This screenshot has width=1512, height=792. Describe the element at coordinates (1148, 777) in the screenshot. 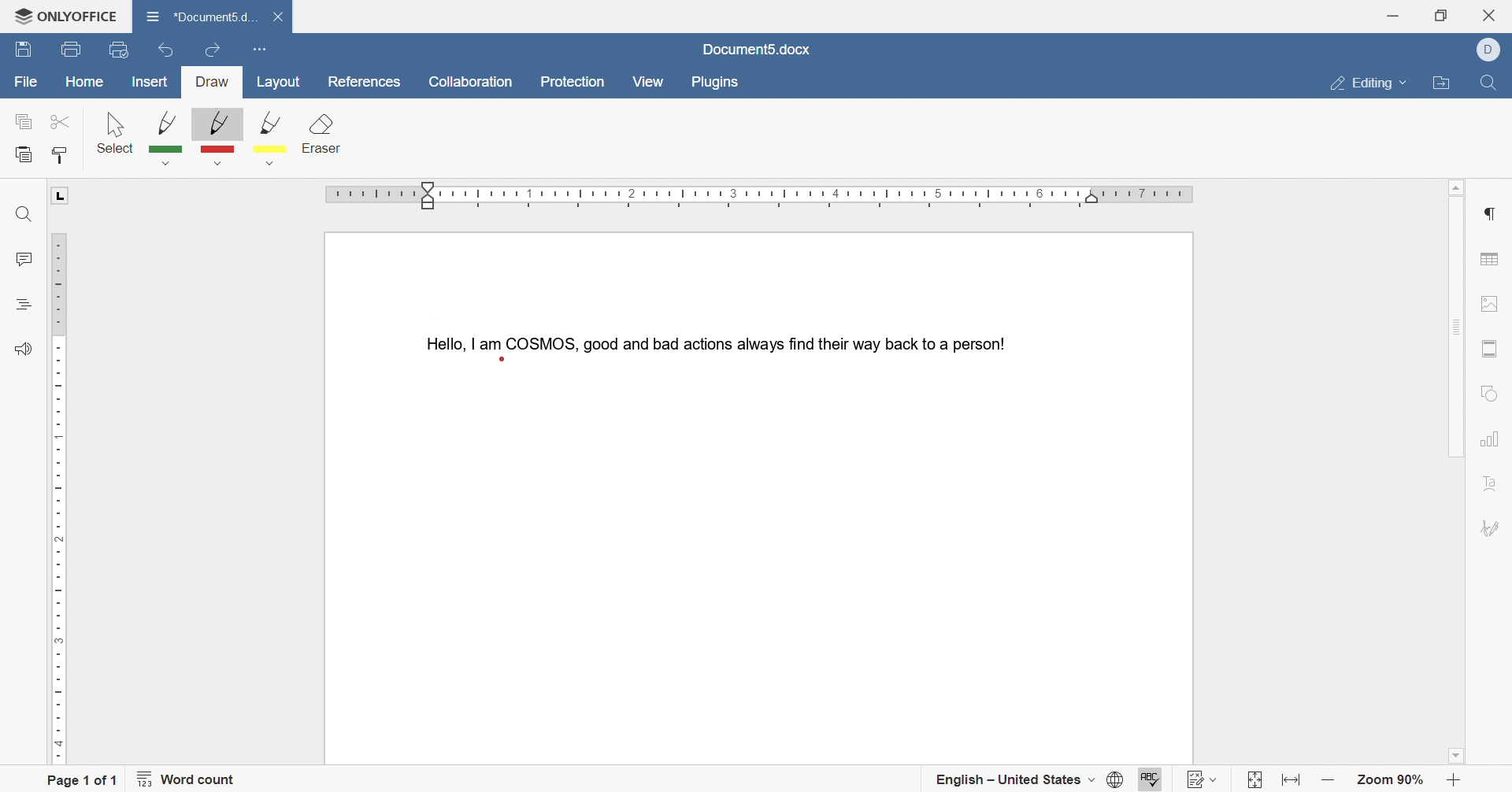

I see `spell checking` at that location.